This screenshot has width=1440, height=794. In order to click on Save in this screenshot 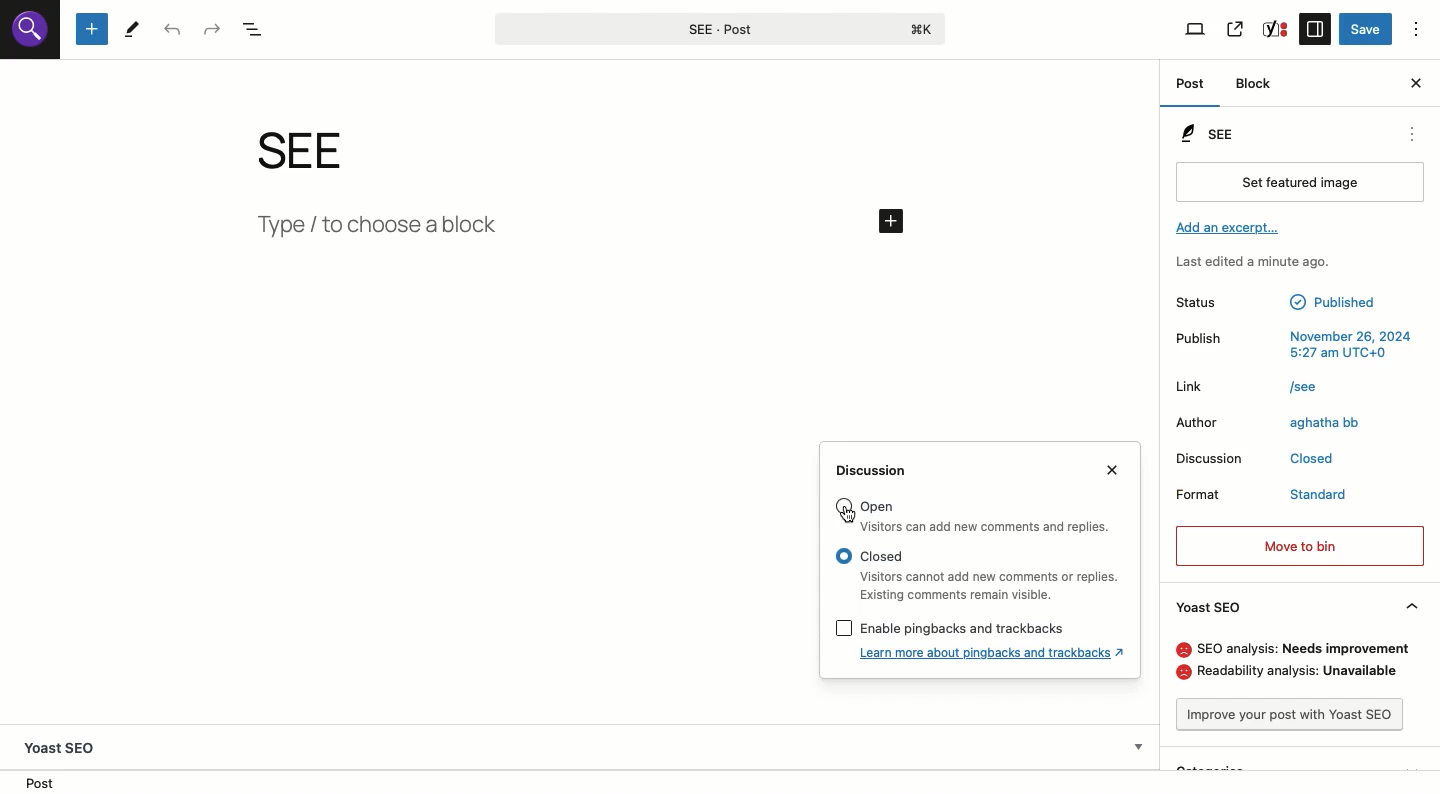, I will do `click(1367, 30)`.